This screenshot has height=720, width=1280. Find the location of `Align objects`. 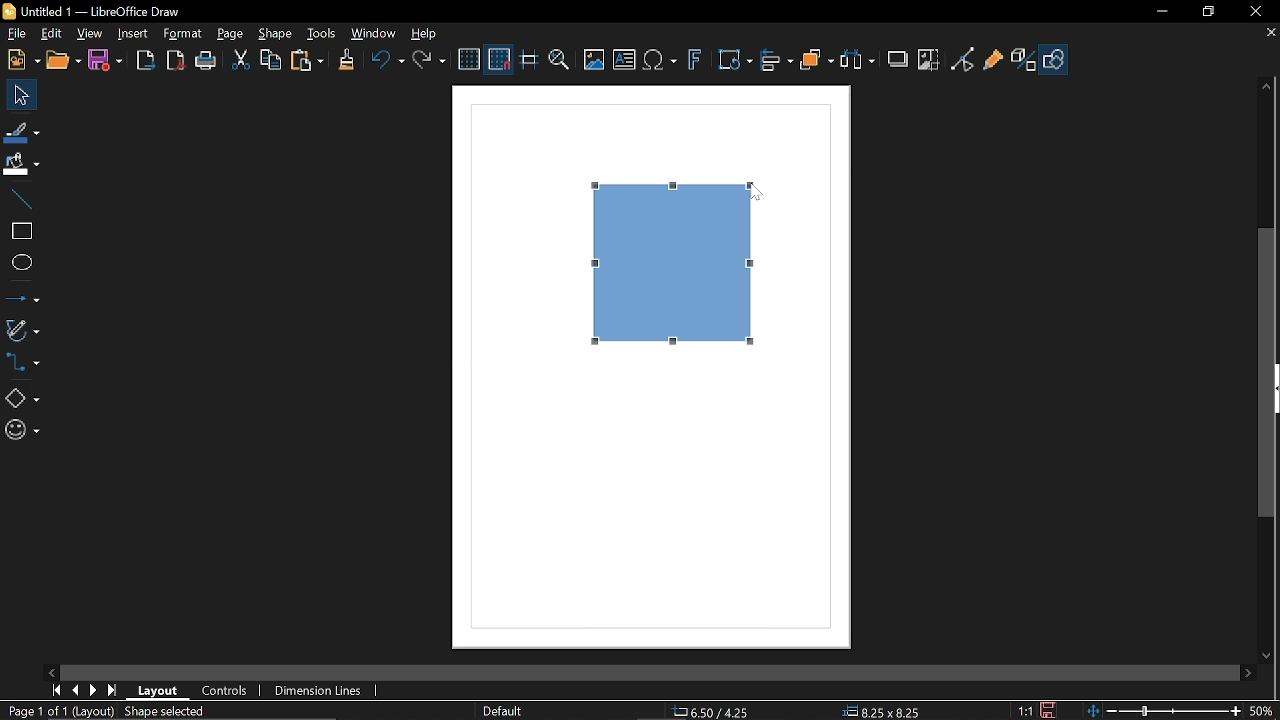

Align objects is located at coordinates (777, 61).